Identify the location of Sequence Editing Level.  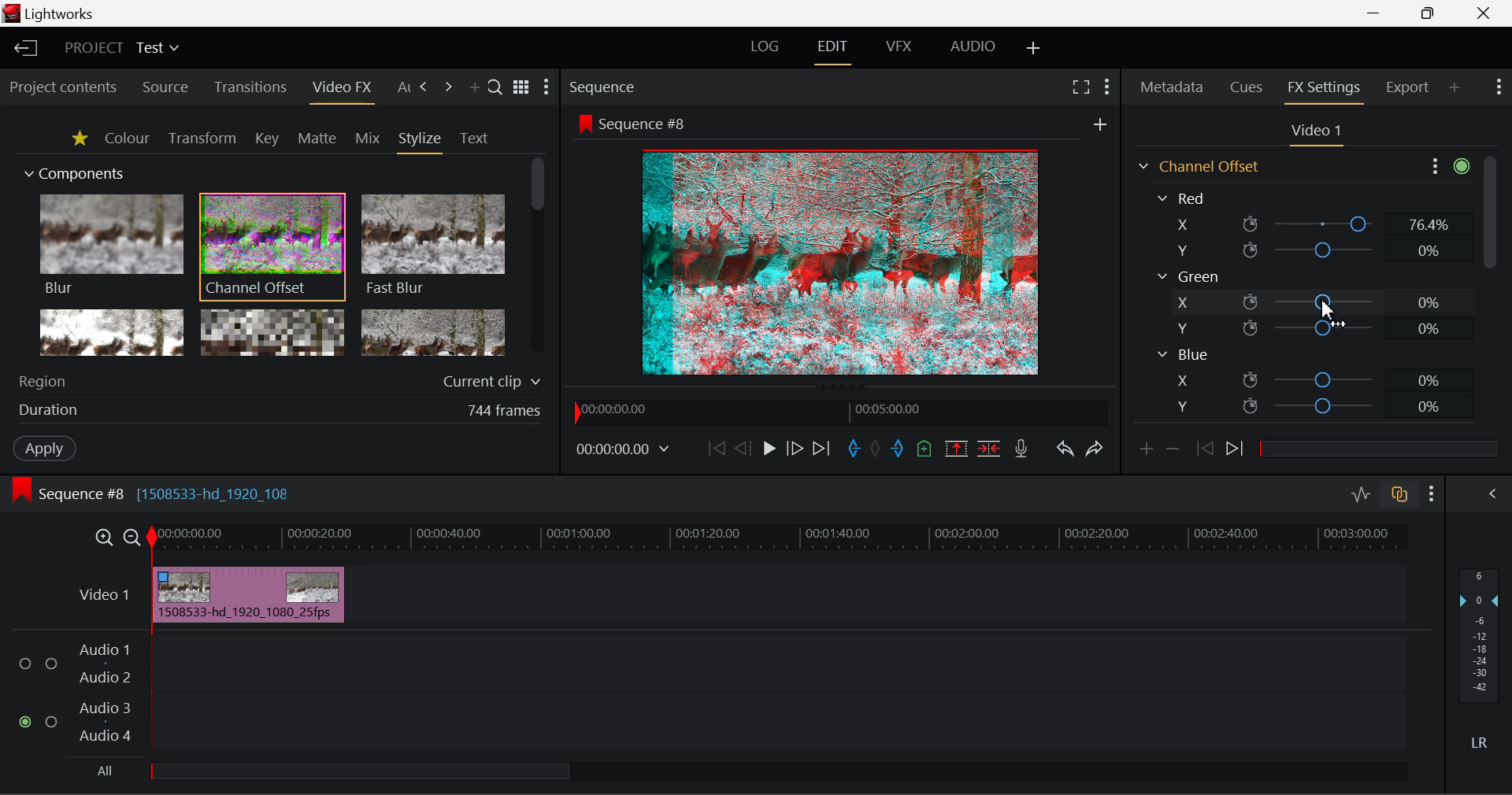
(63, 497).